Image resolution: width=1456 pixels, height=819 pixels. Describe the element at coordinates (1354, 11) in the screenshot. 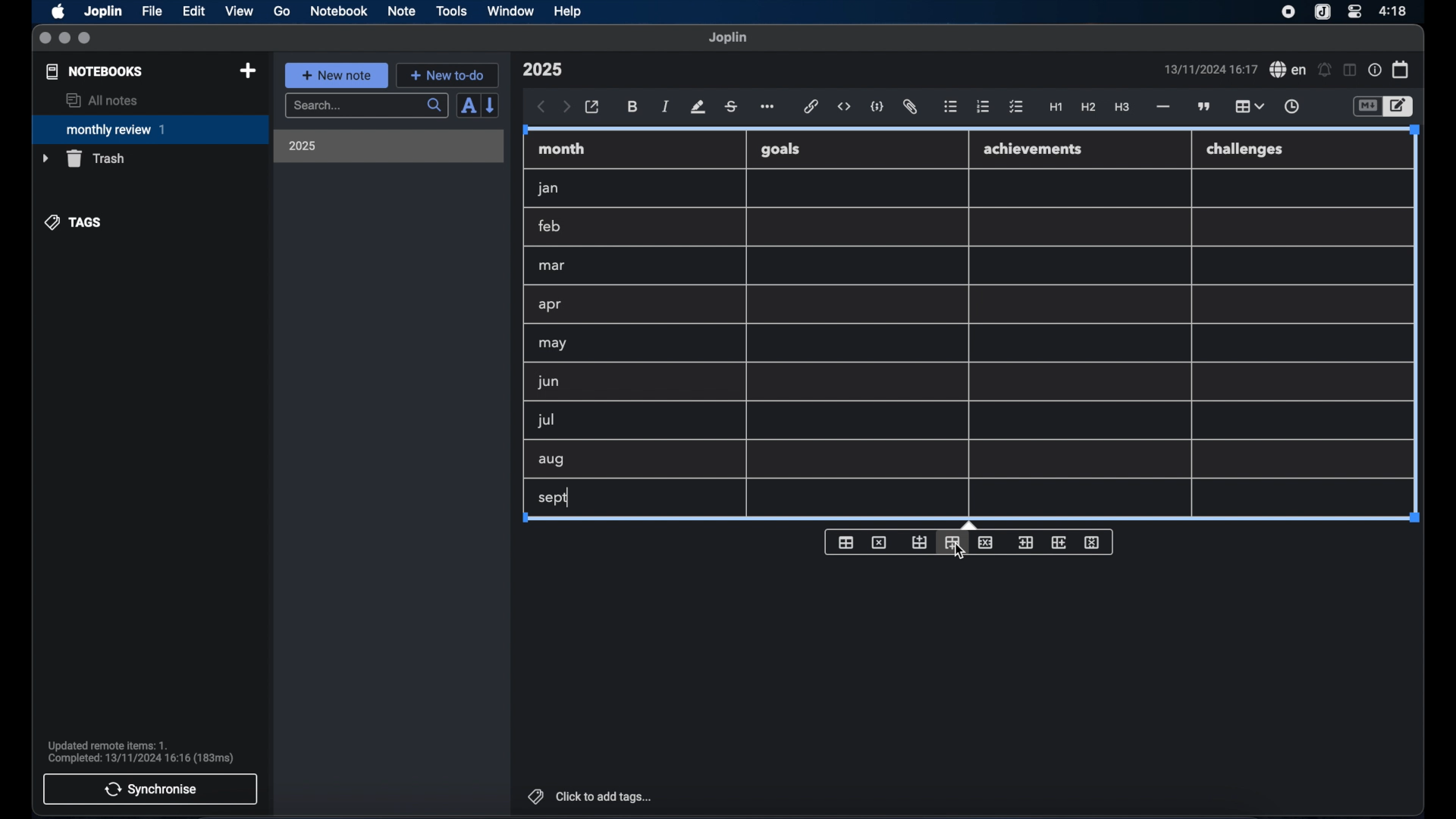

I see `control center` at that location.